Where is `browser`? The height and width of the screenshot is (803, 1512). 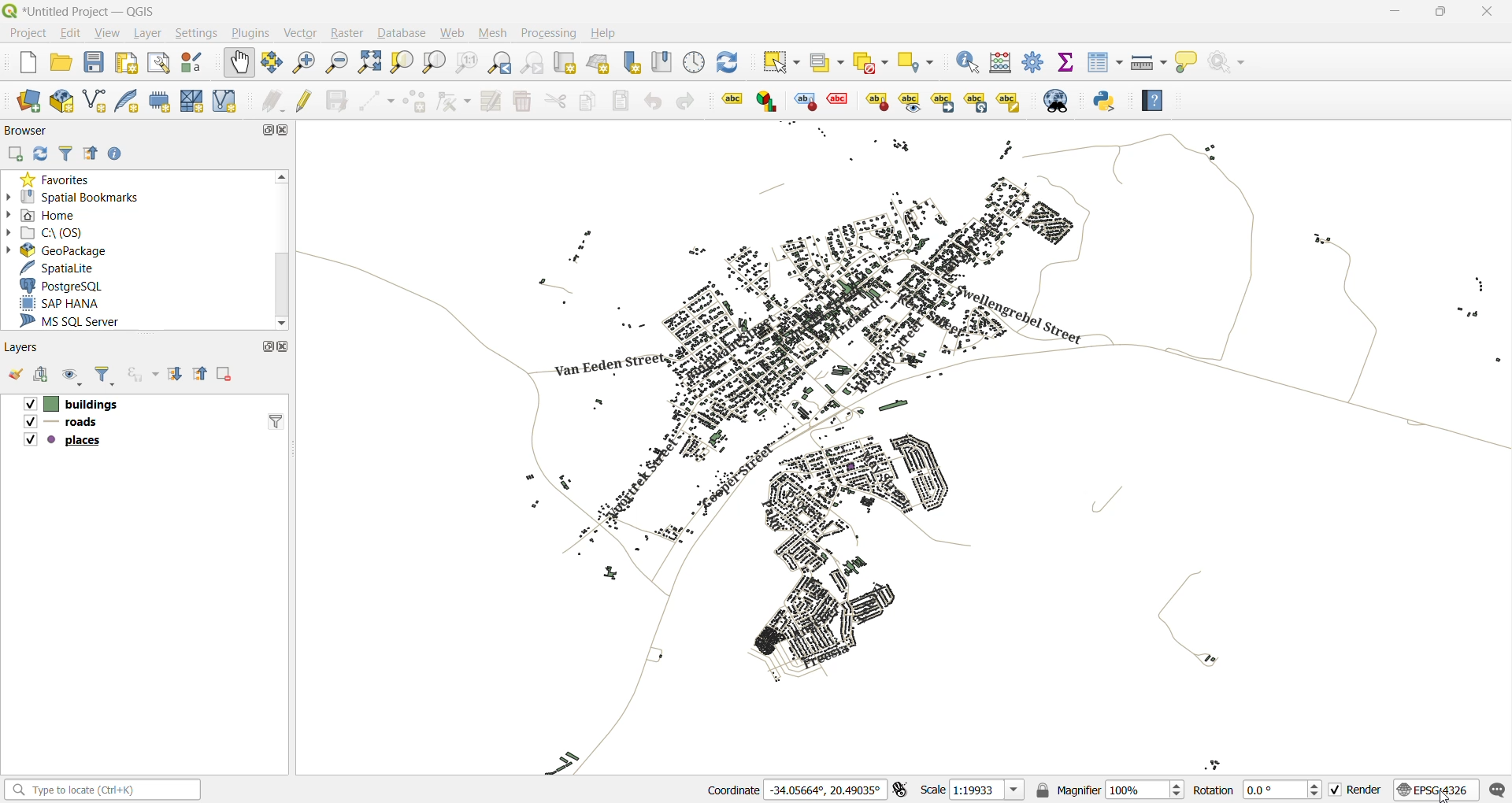
browser is located at coordinates (31, 133).